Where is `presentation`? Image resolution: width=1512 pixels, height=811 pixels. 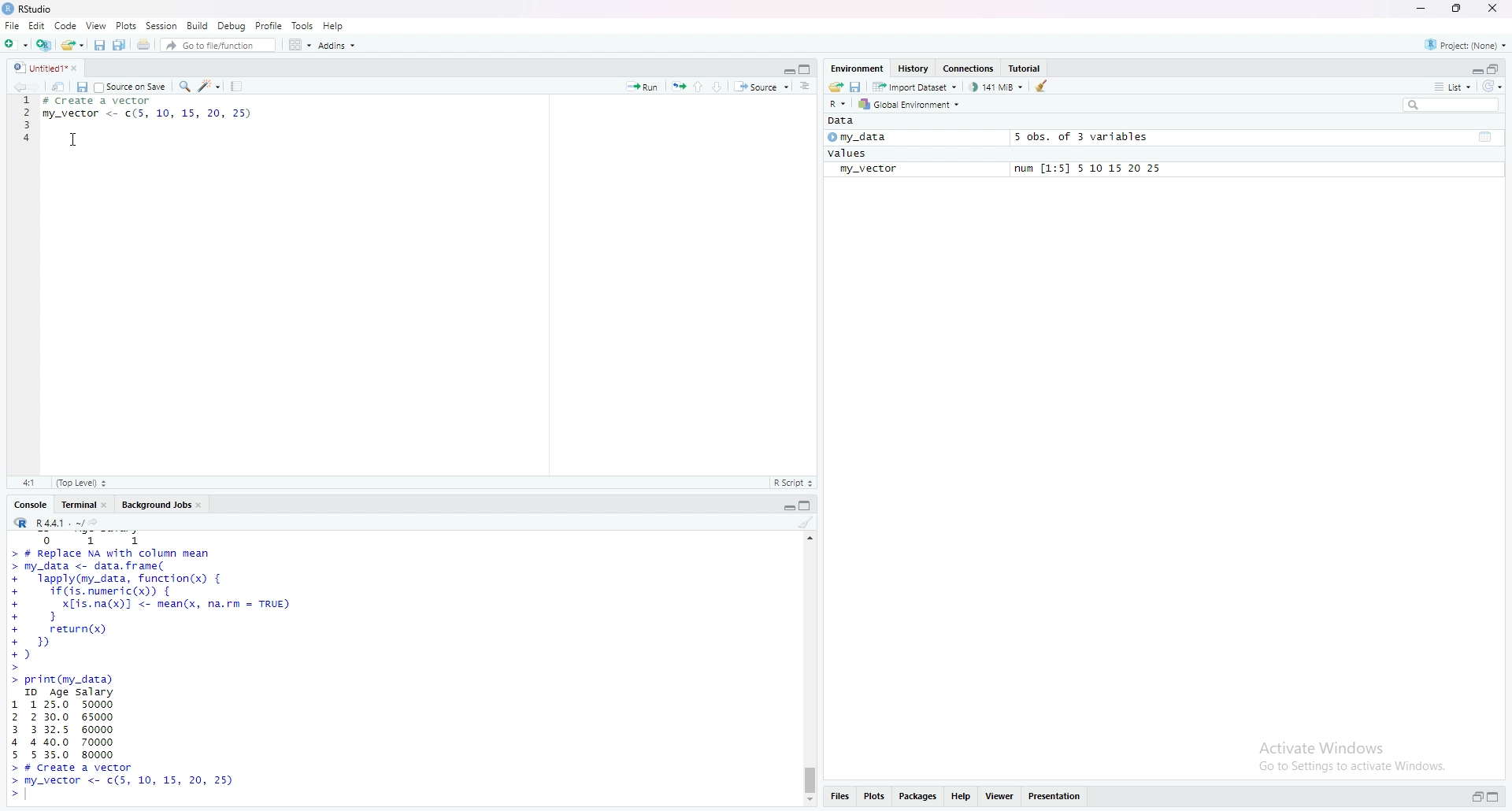 presentation is located at coordinates (1057, 795).